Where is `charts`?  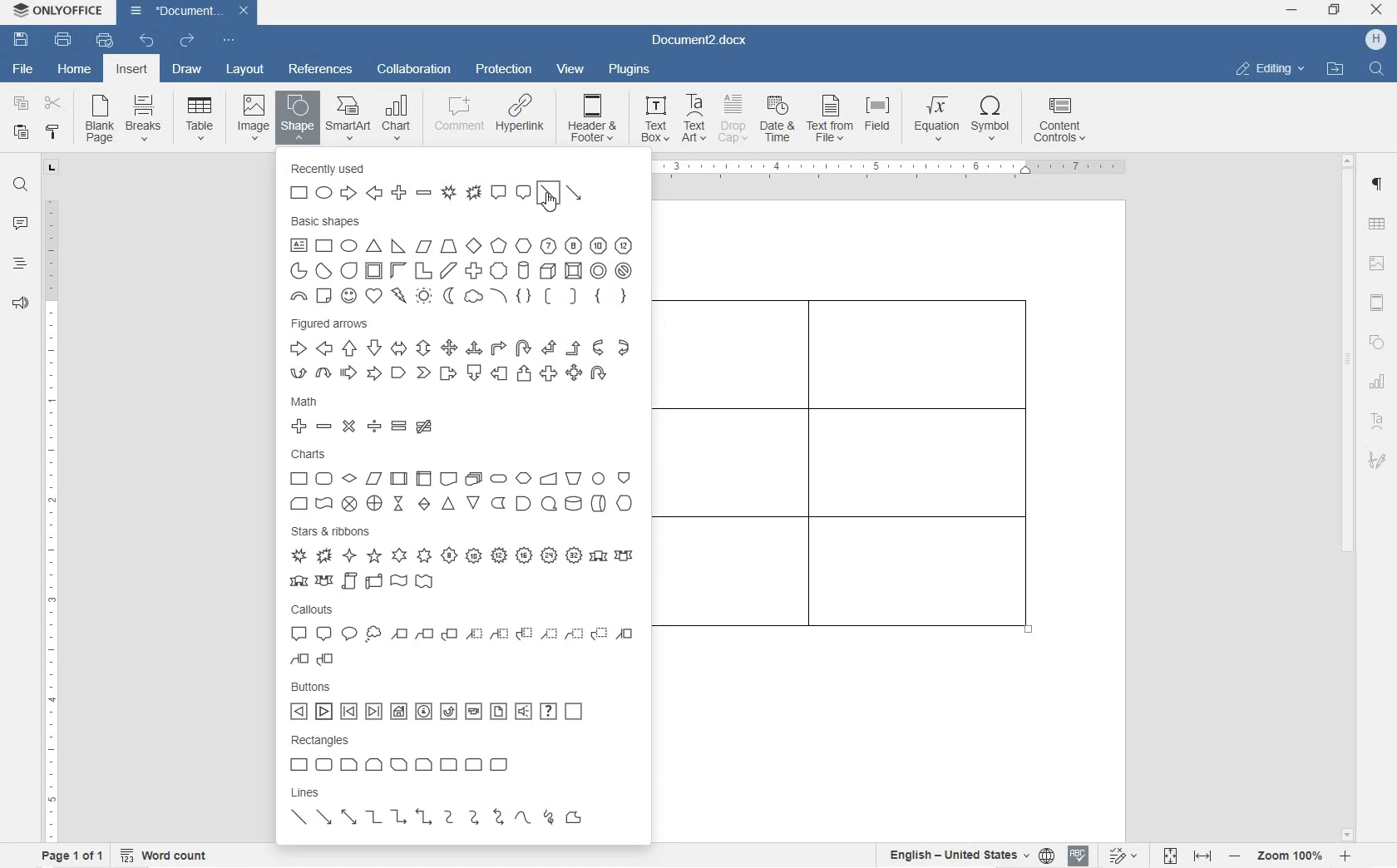 charts is located at coordinates (466, 480).